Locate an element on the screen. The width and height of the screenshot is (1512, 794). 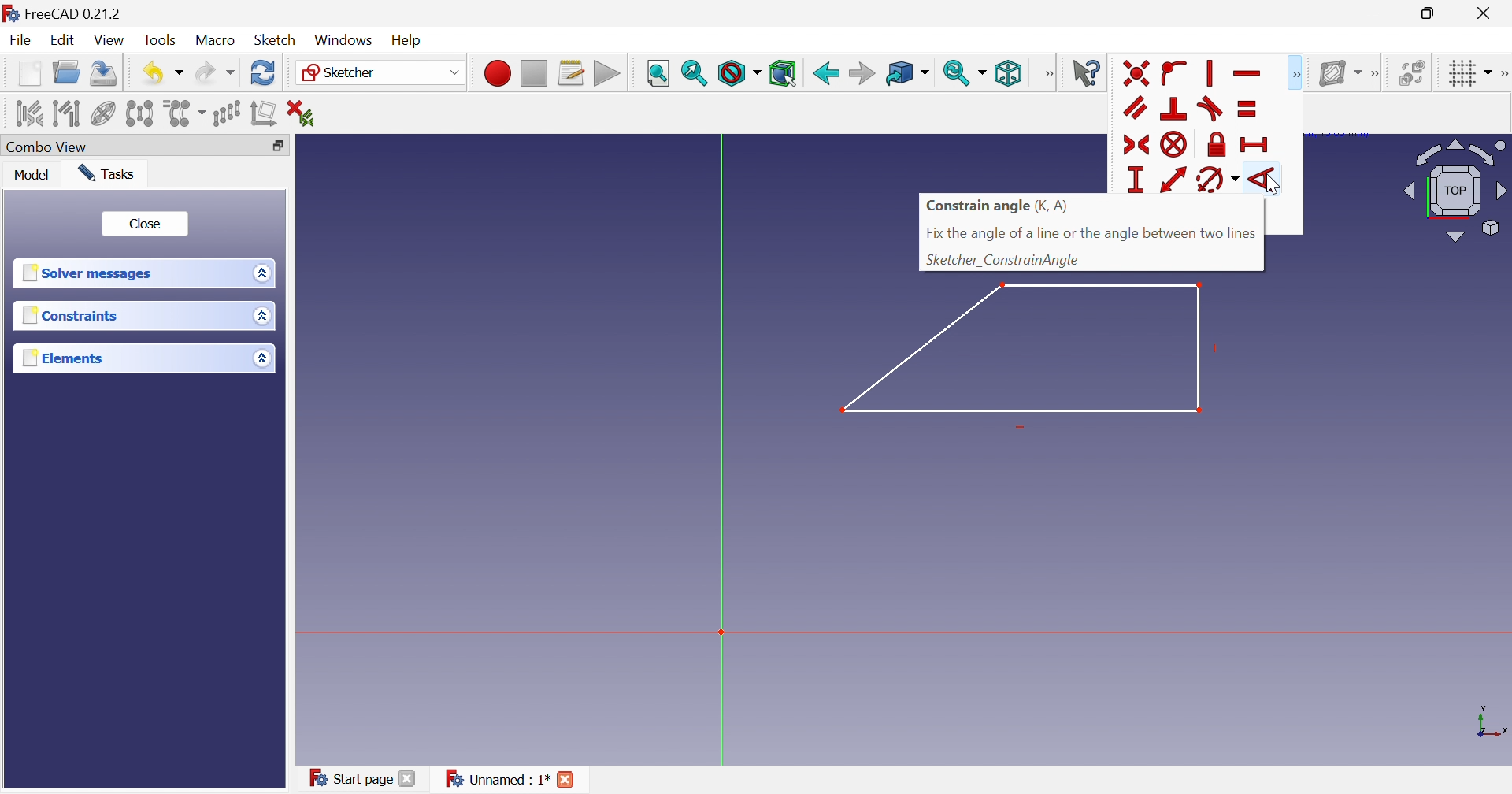
Constraint Tagent is located at coordinates (1213, 110).